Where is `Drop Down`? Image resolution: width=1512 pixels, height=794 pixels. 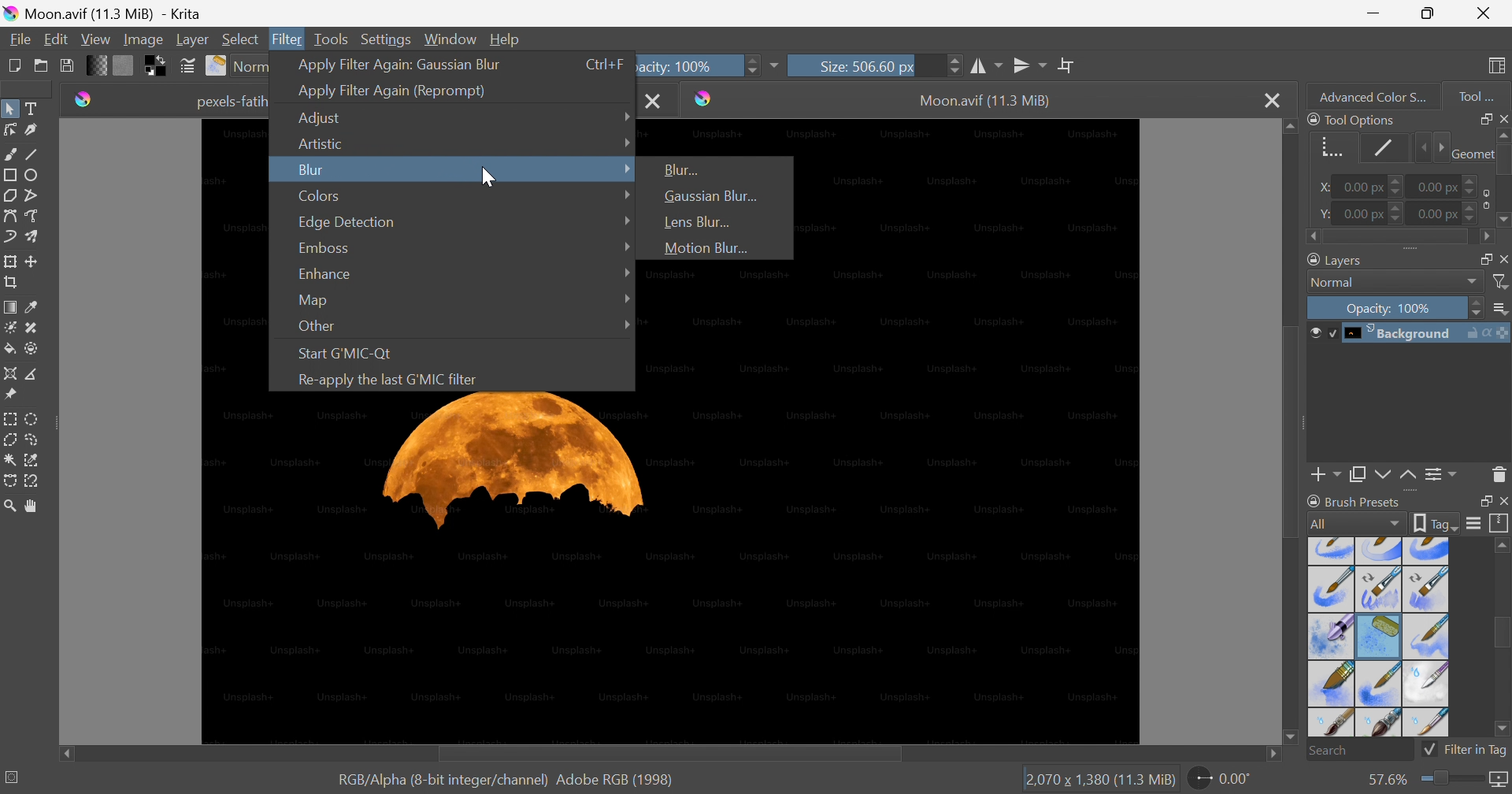 Drop Down is located at coordinates (626, 194).